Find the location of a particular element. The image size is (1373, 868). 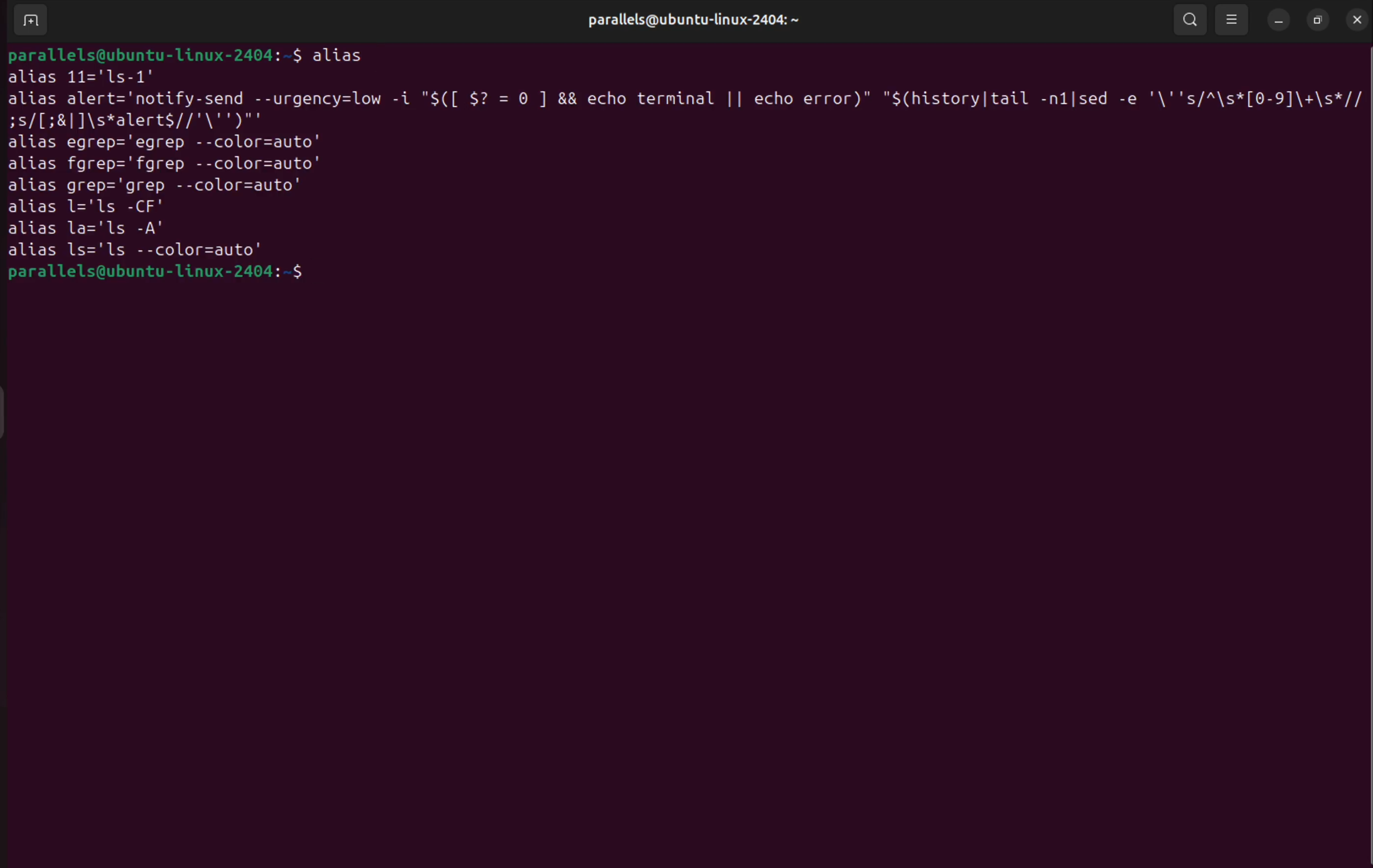

alias egrp is located at coordinates (166, 144).